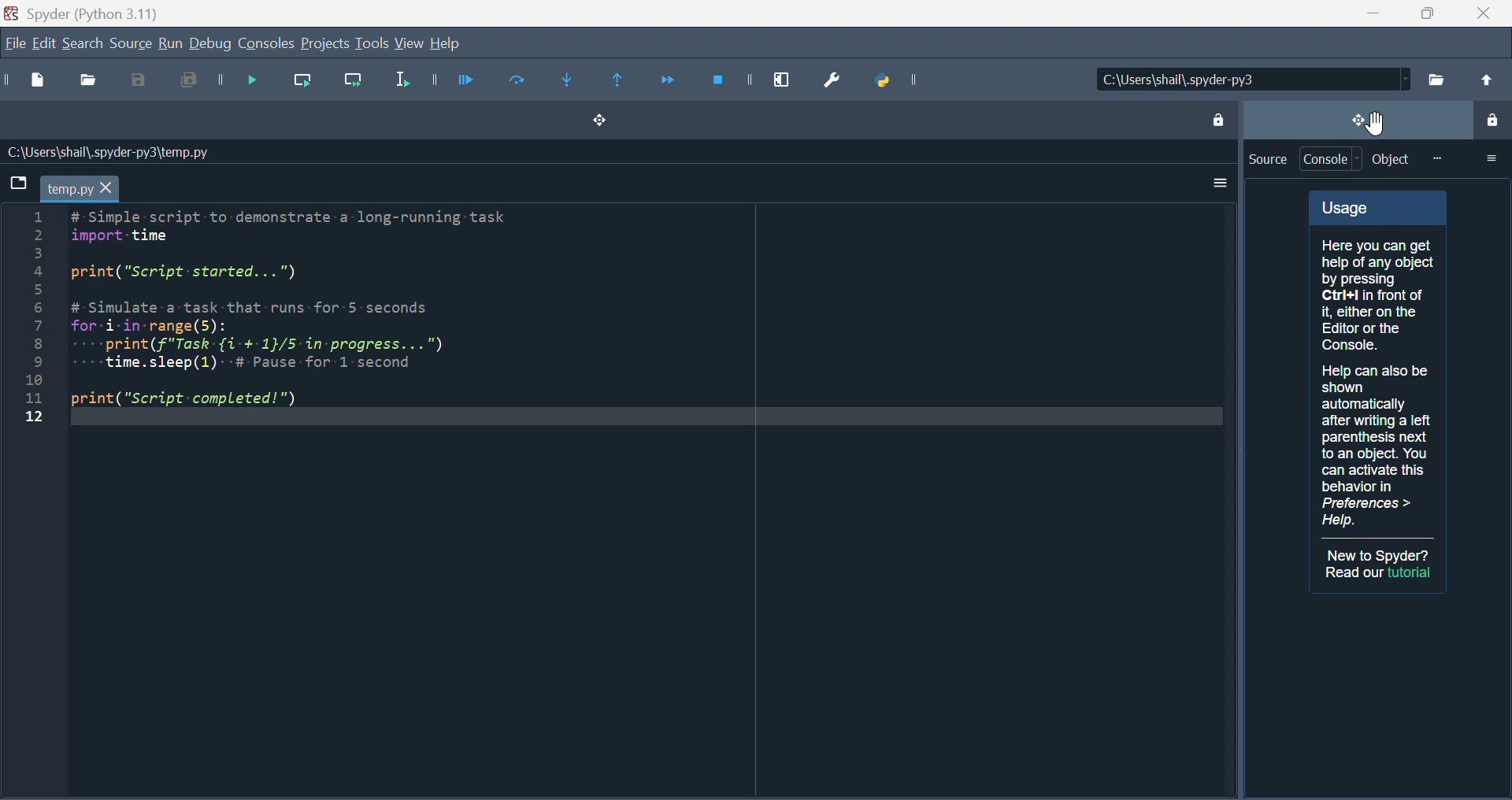 This screenshot has width=1512, height=800. What do you see at coordinates (33, 317) in the screenshot?
I see `line number` at bounding box center [33, 317].